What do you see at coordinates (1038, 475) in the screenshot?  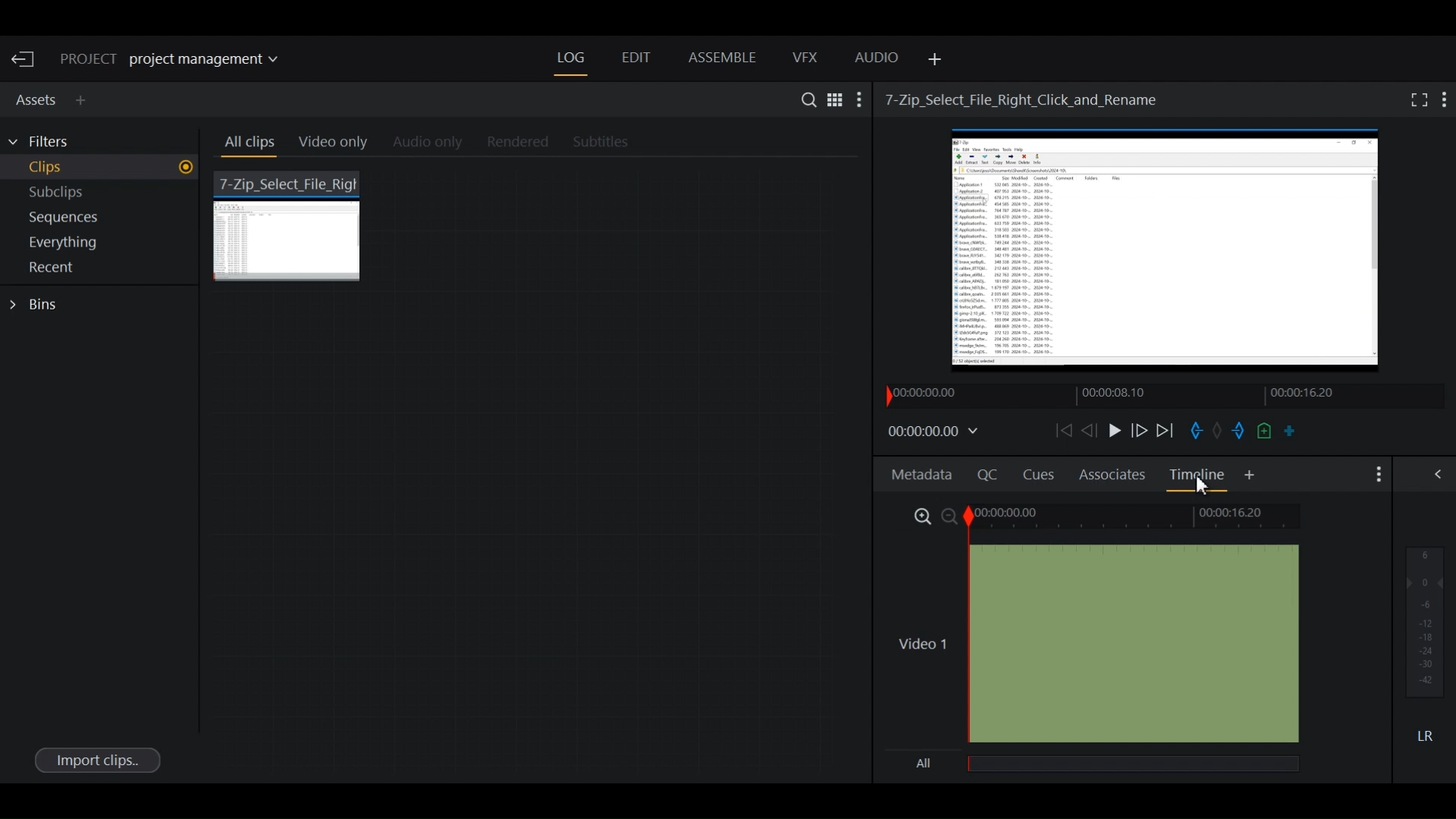 I see `Cues` at bounding box center [1038, 475].